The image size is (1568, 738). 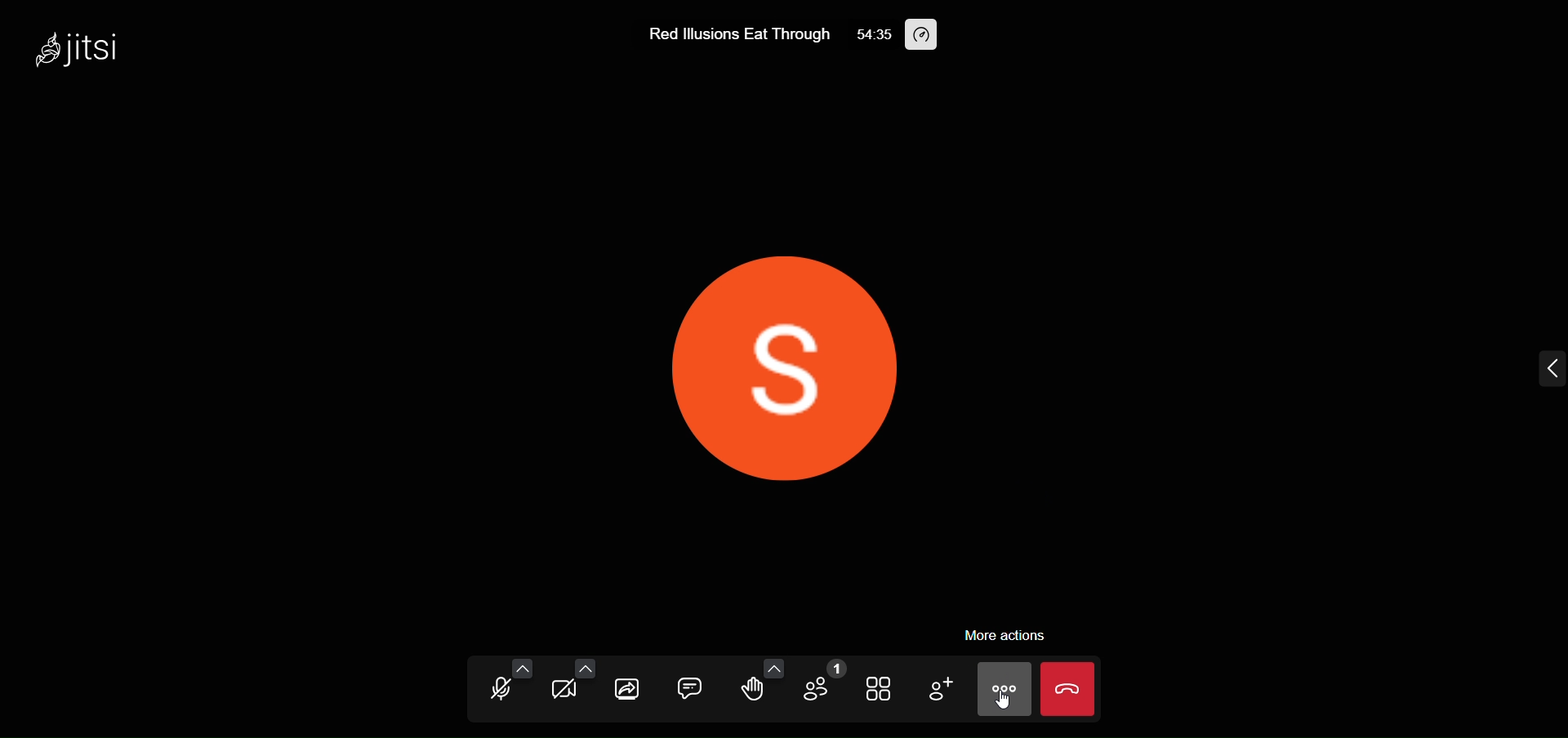 What do you see at coordinates (1548, 369) in the screenshot?
I see `expand` at bounding box center [1548, 369].